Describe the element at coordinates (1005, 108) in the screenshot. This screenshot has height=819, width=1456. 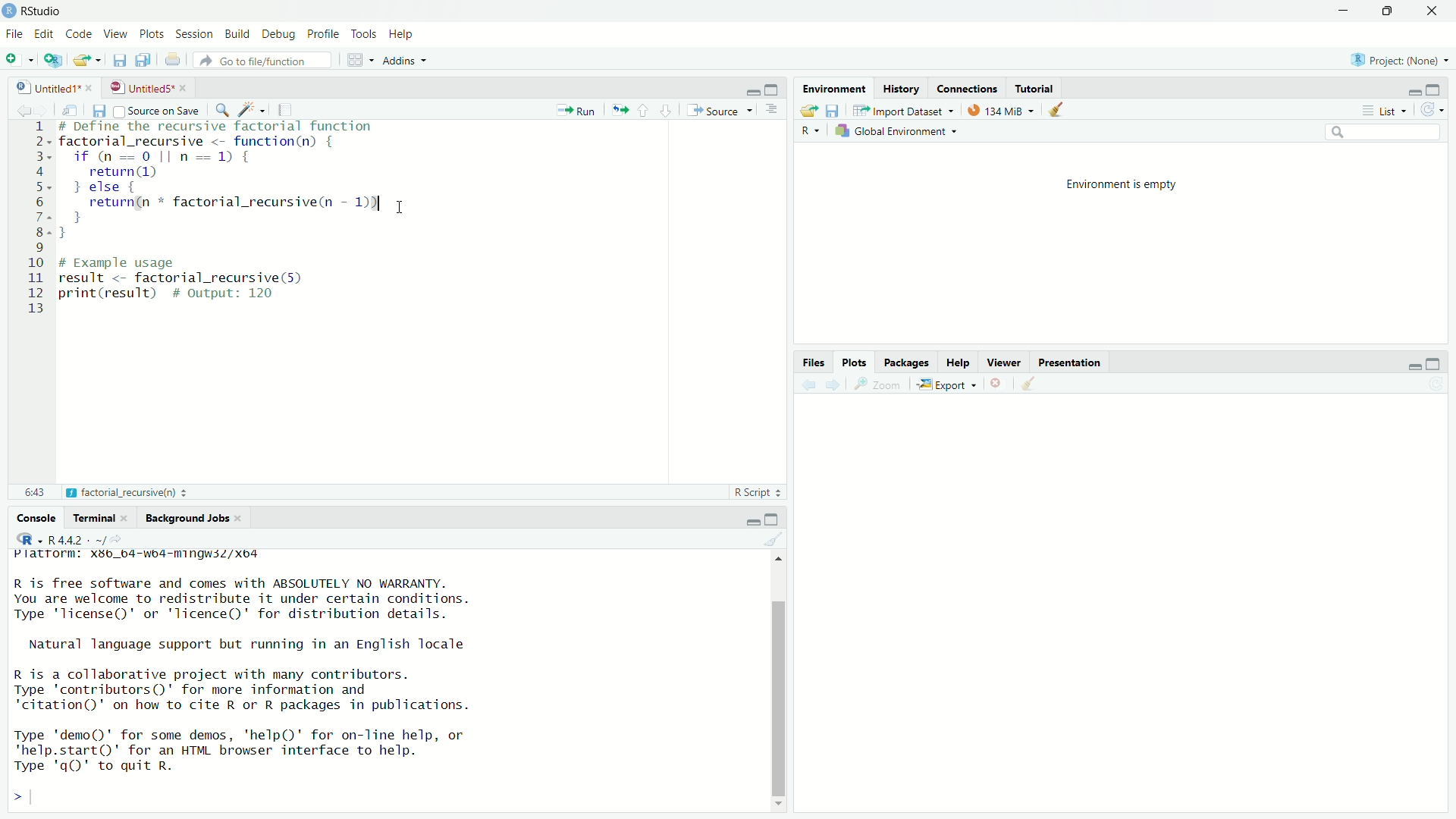
I see `134kib used by R session (Source: Windows System)` at that location.